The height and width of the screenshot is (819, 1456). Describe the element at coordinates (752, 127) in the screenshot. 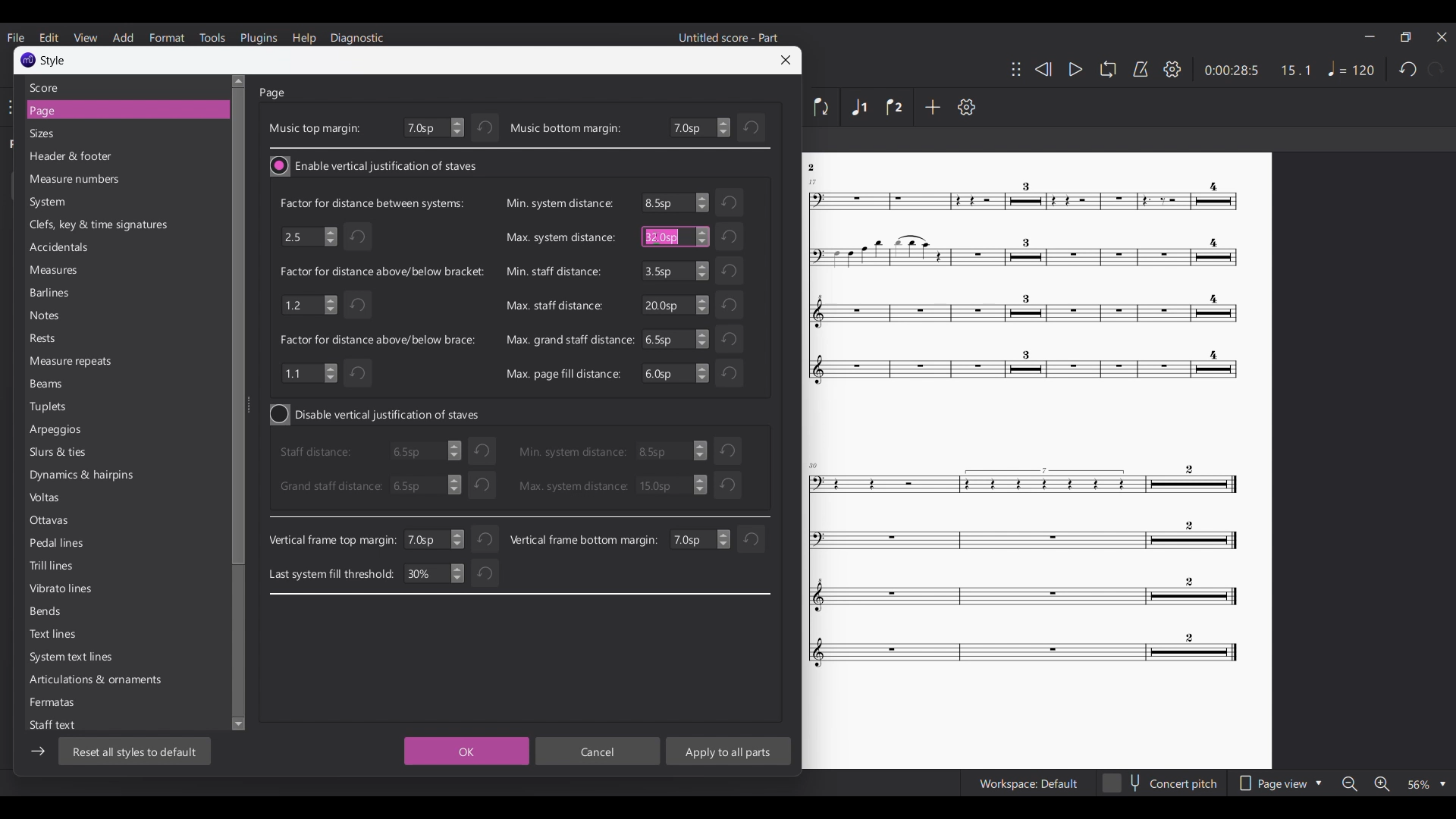

I see `Undo change` at that location.